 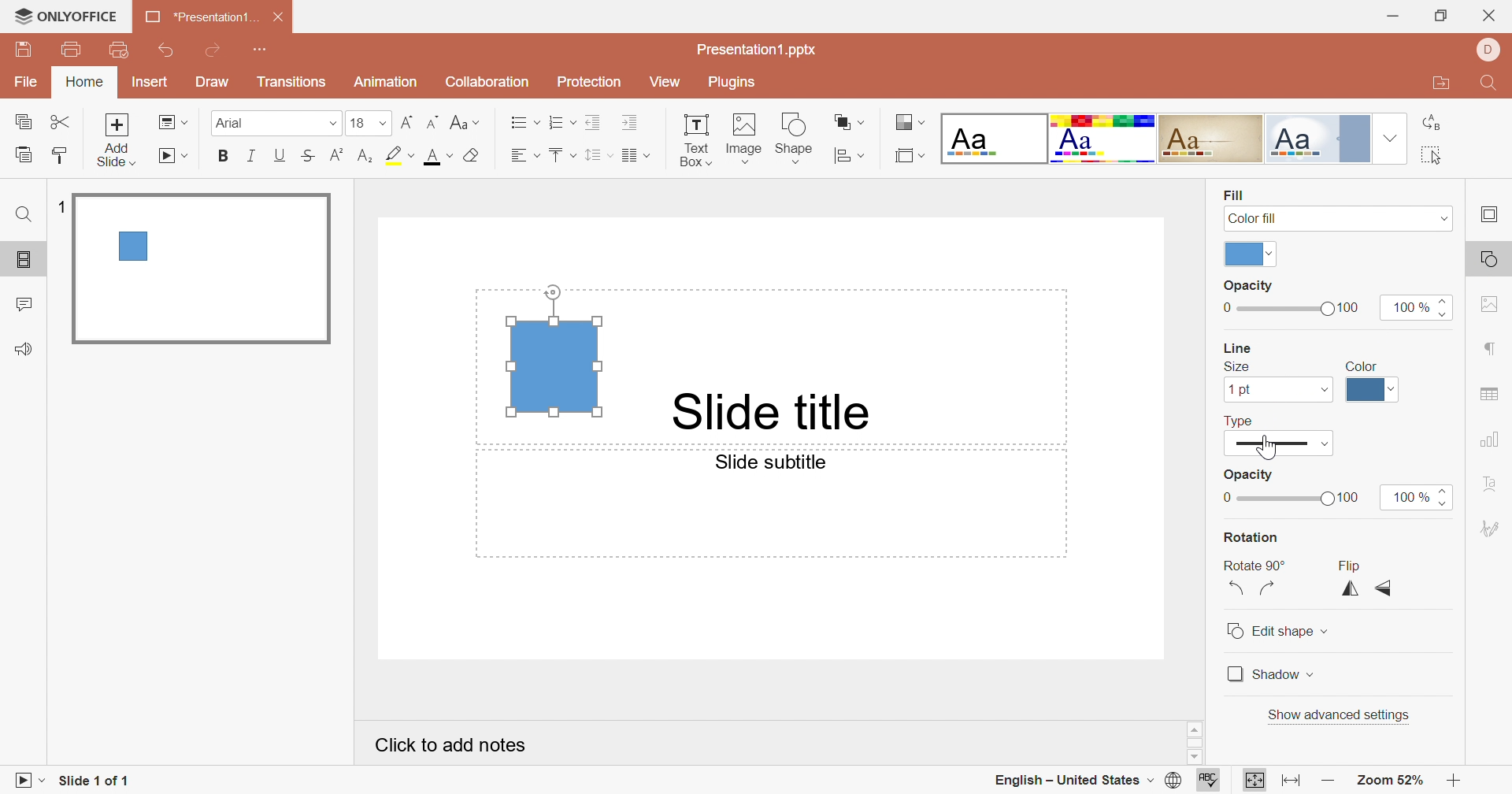 I want to click on Change case, so click(x=466, y=124).